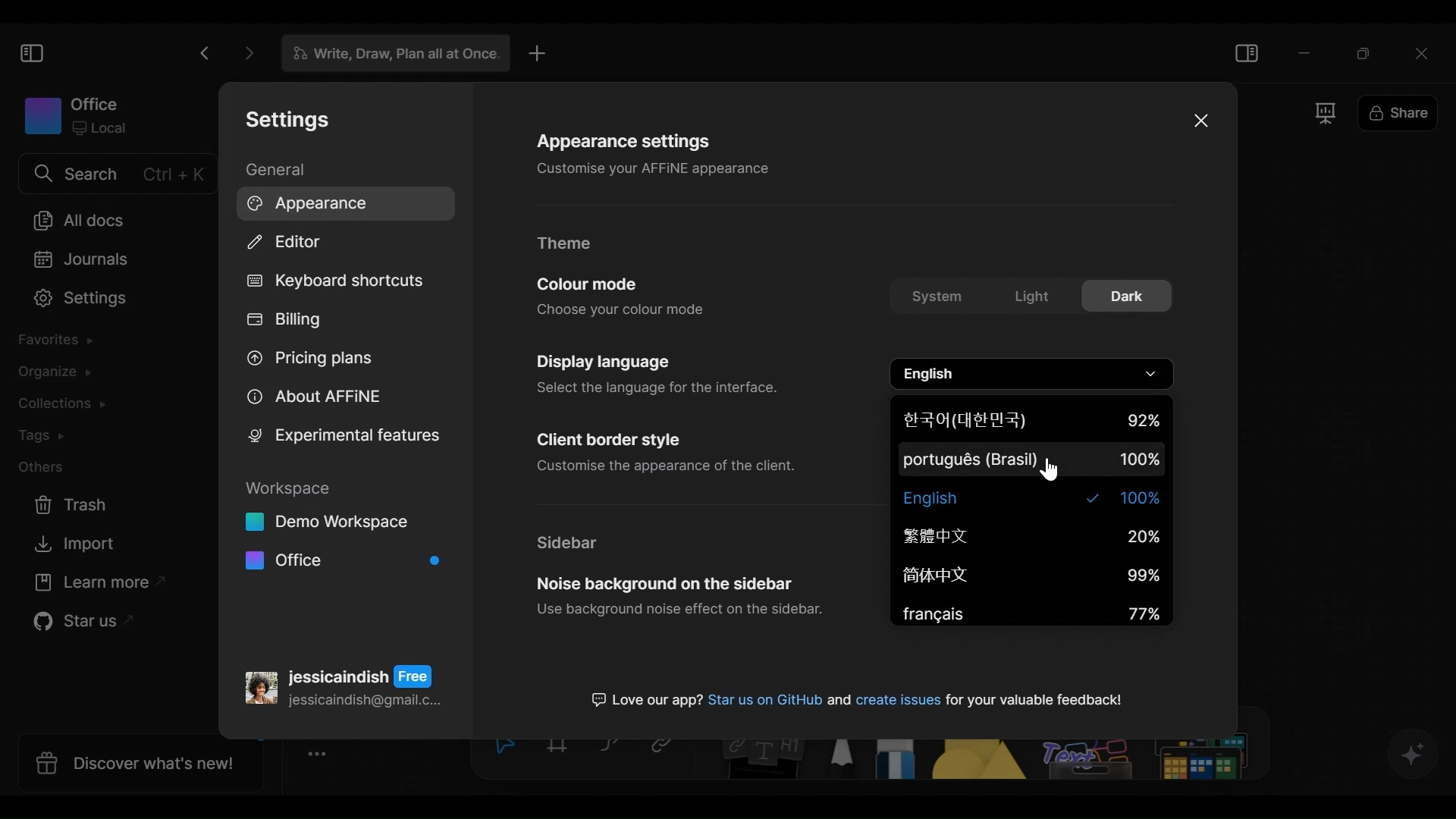 The width and height of the screenshot is (1456, 819). I want to click on Show/Hide Sidebar, so click(30, 52).